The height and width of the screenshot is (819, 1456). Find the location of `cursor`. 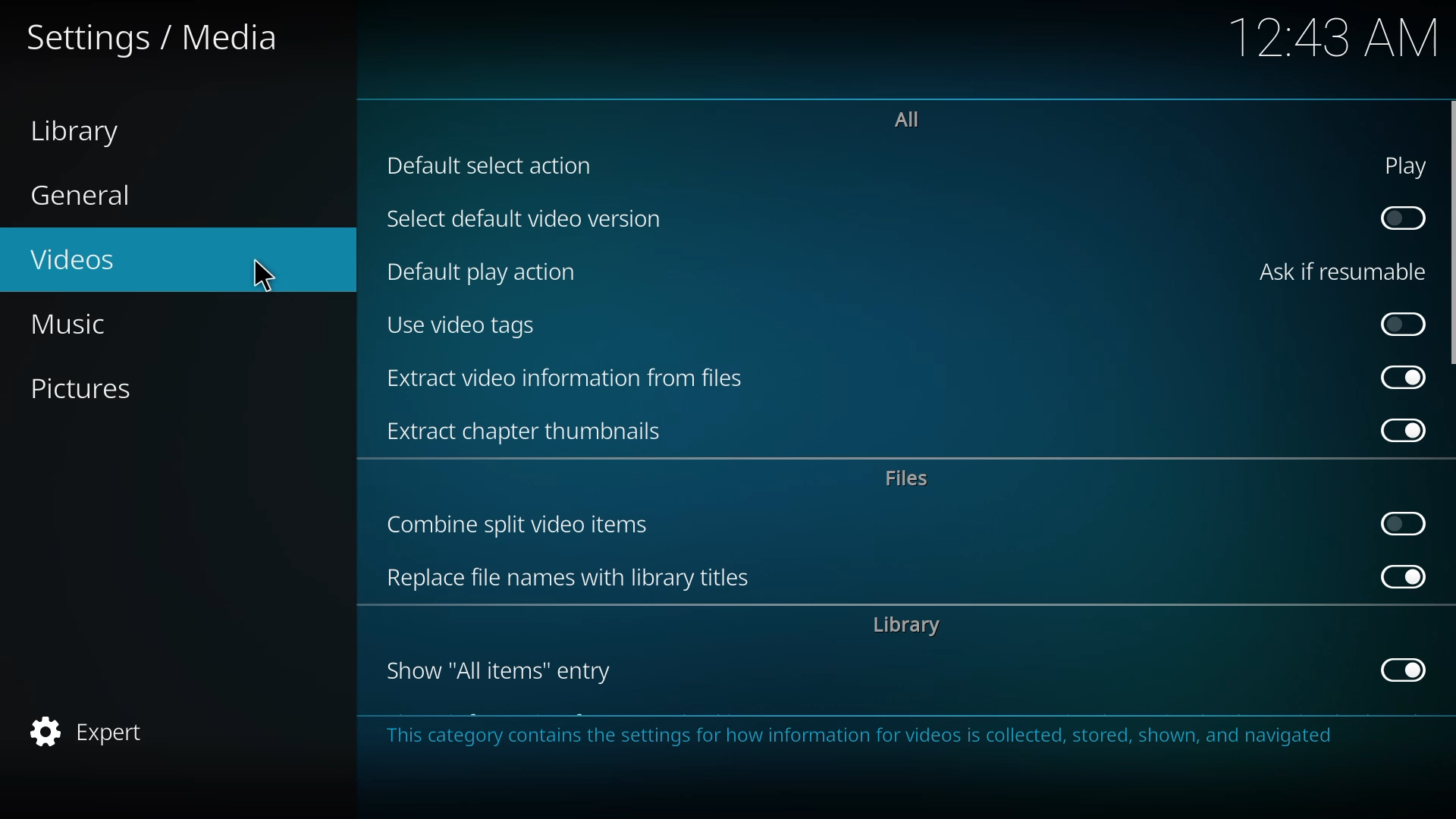

cursor is located at coordinates (262, 277).